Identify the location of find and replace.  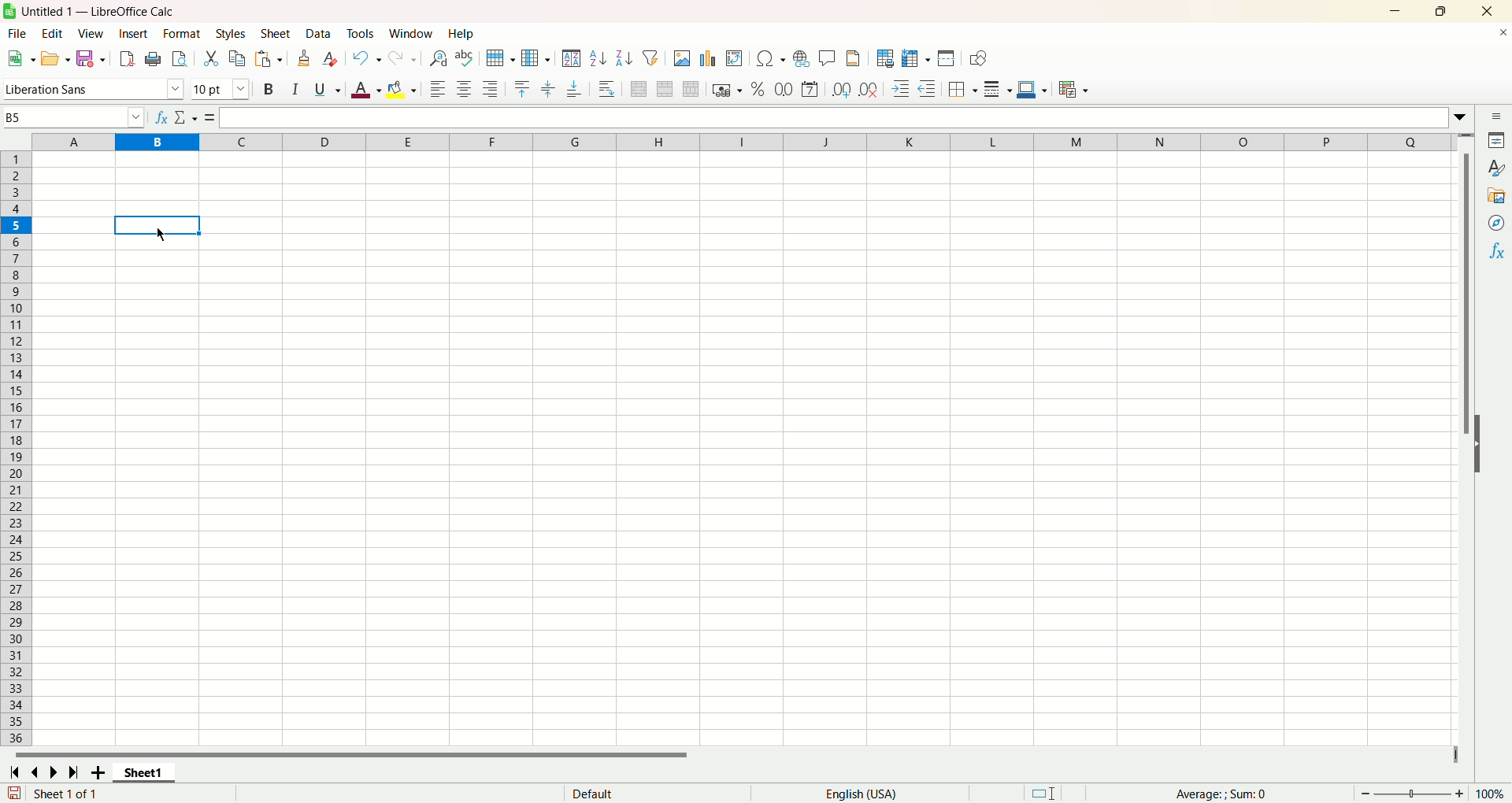
(436, 59).